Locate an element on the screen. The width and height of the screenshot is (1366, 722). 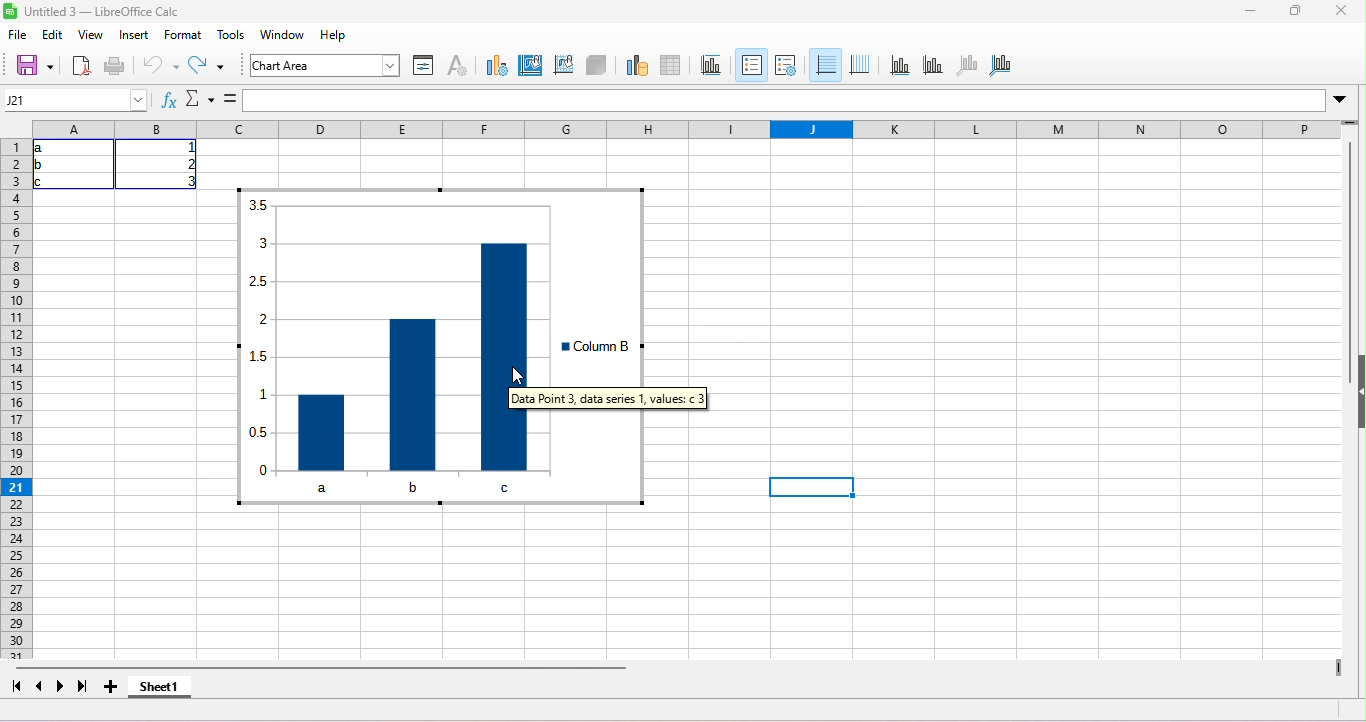
tools is located at coordinates (234, 38).